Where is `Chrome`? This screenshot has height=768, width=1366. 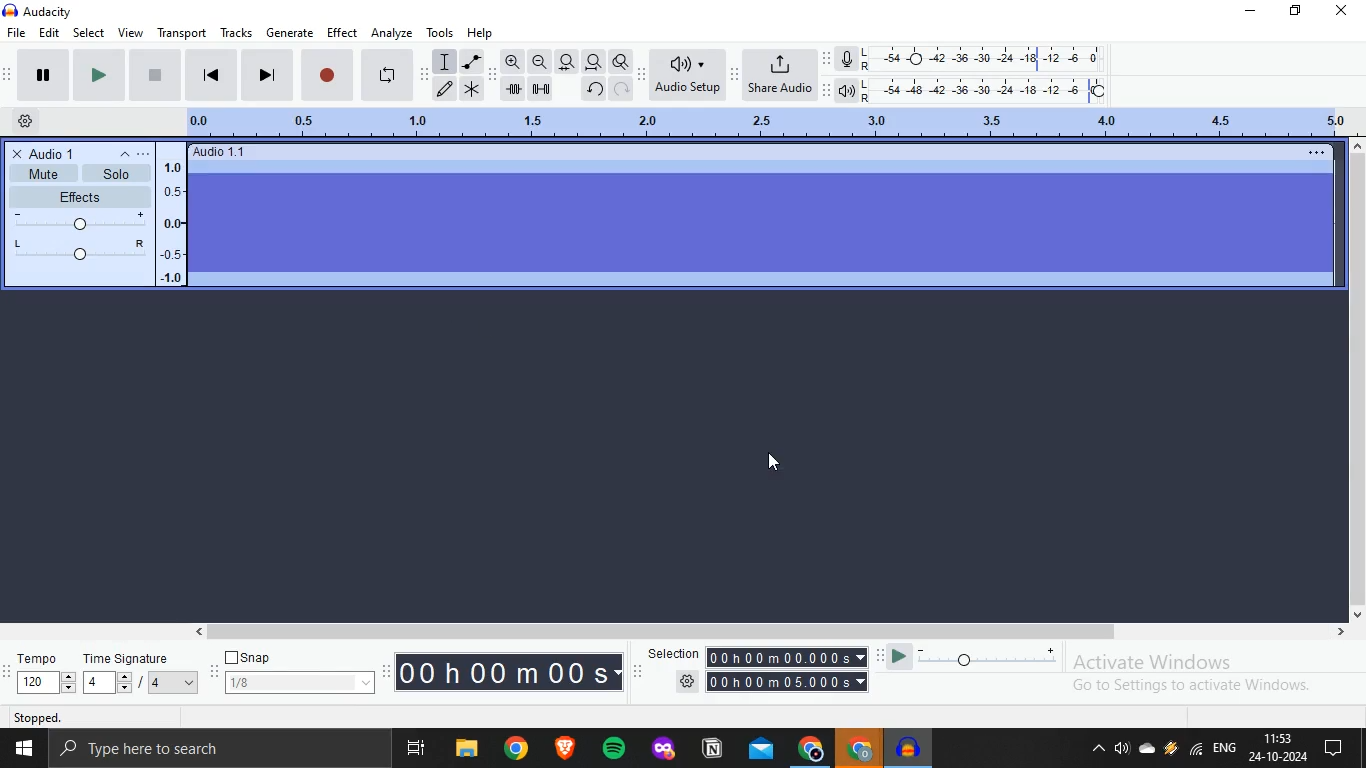 Chrome is located at coordinates (520, 750).